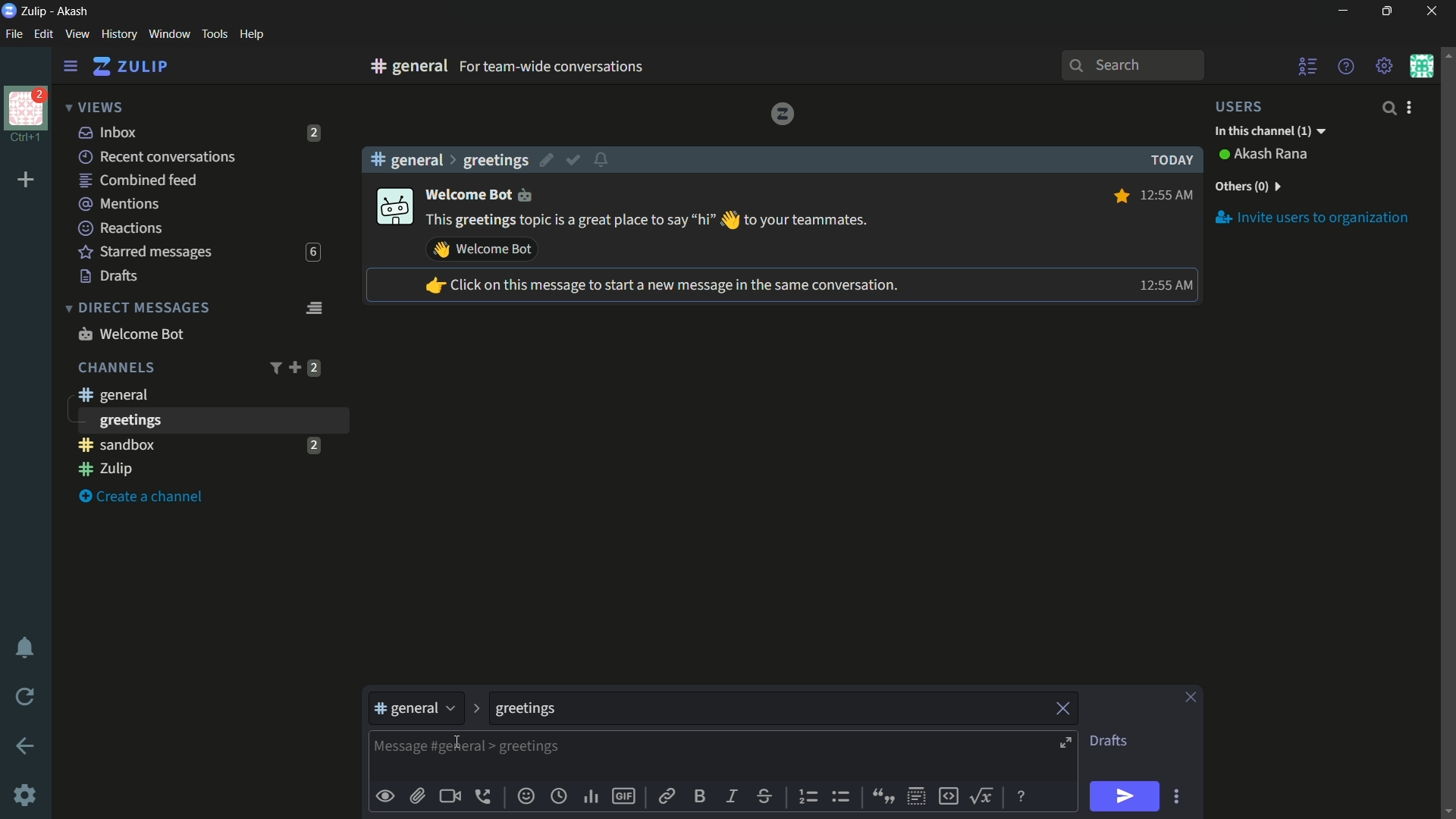  Describe the element at coordinates (137, 181) in the screenshot. I see `combined feed` at that location.